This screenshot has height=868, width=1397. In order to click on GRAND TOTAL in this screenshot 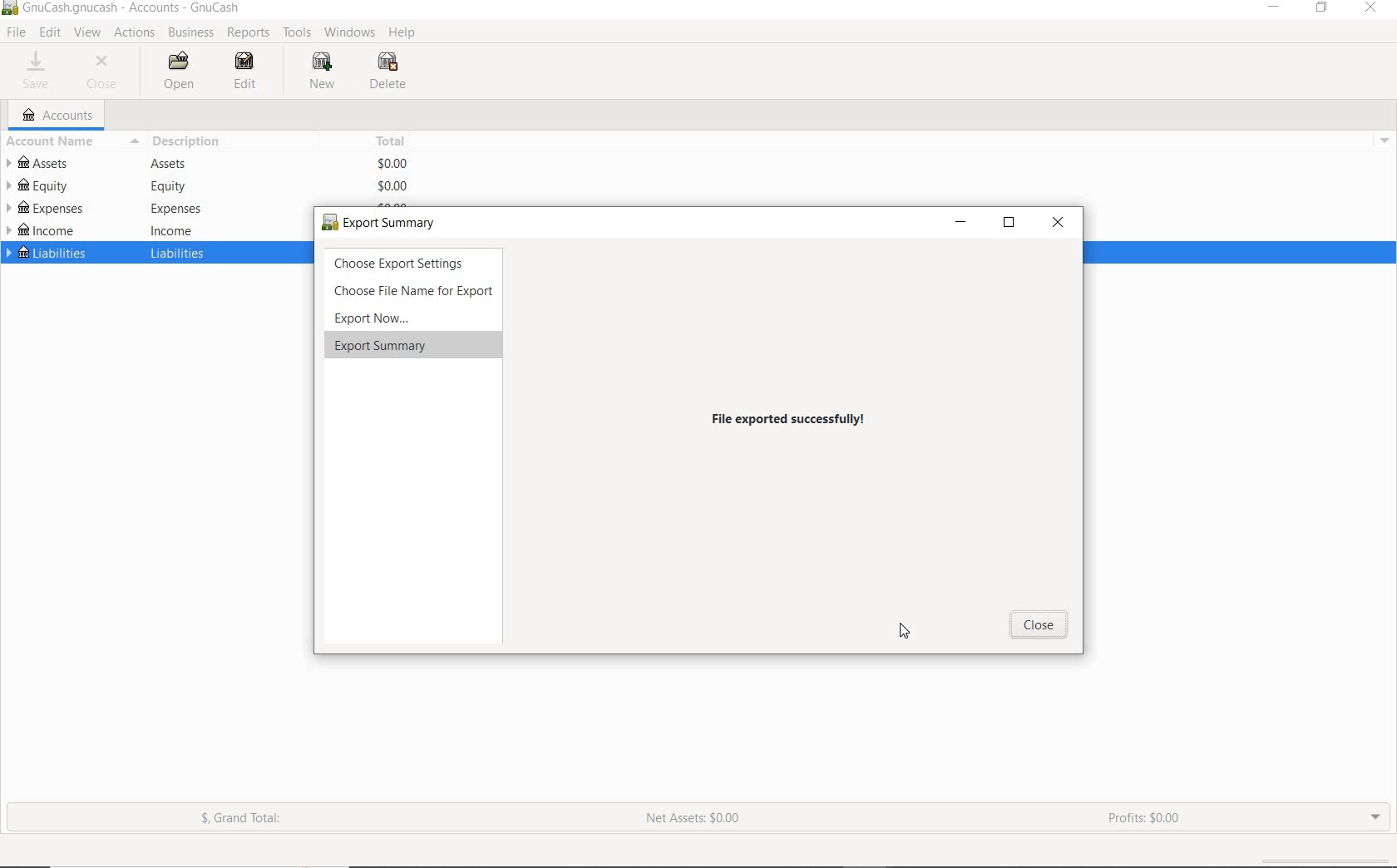, I will do `click(240, 819)`.